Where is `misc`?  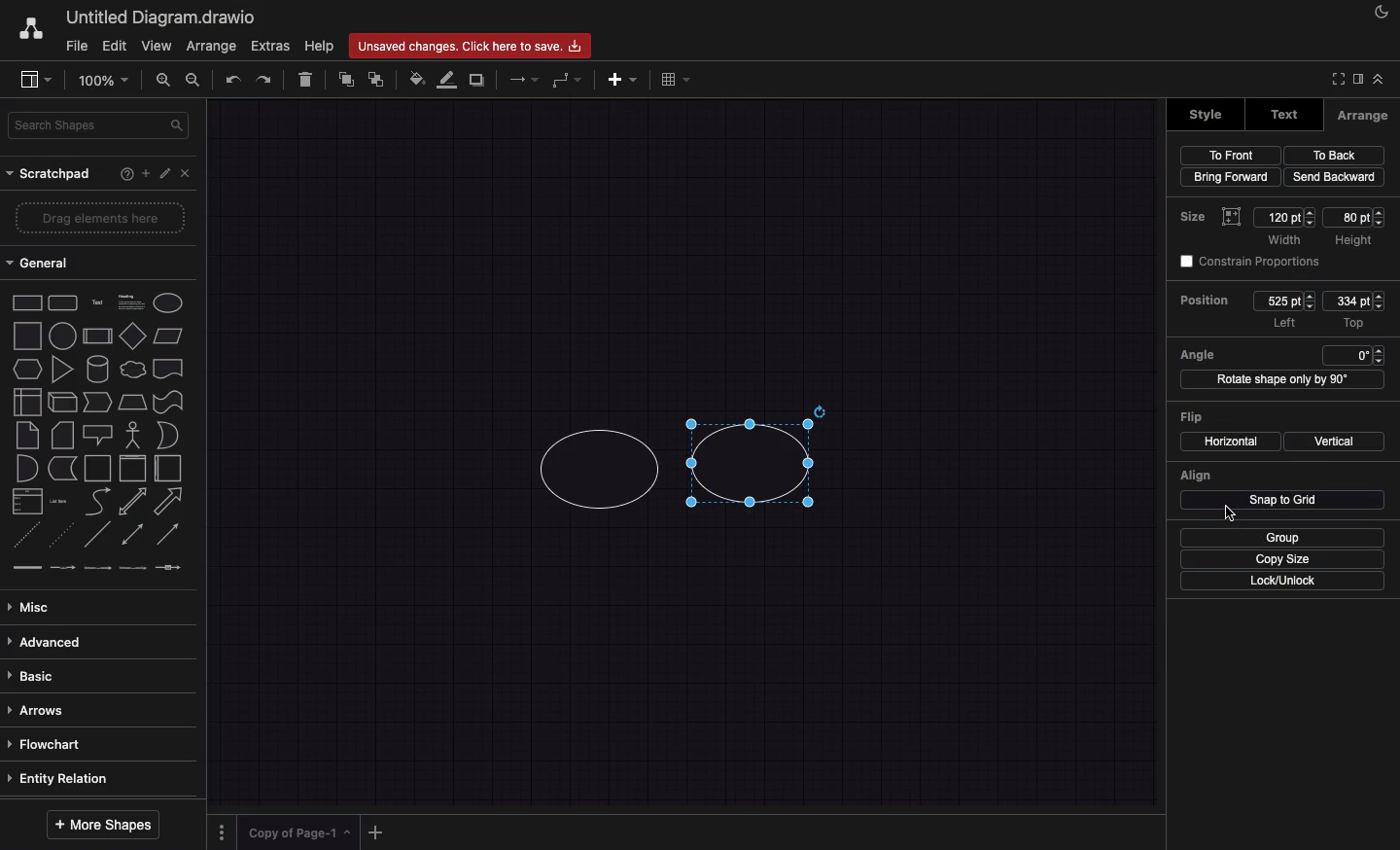
misc is located at coordinates (95, 609).